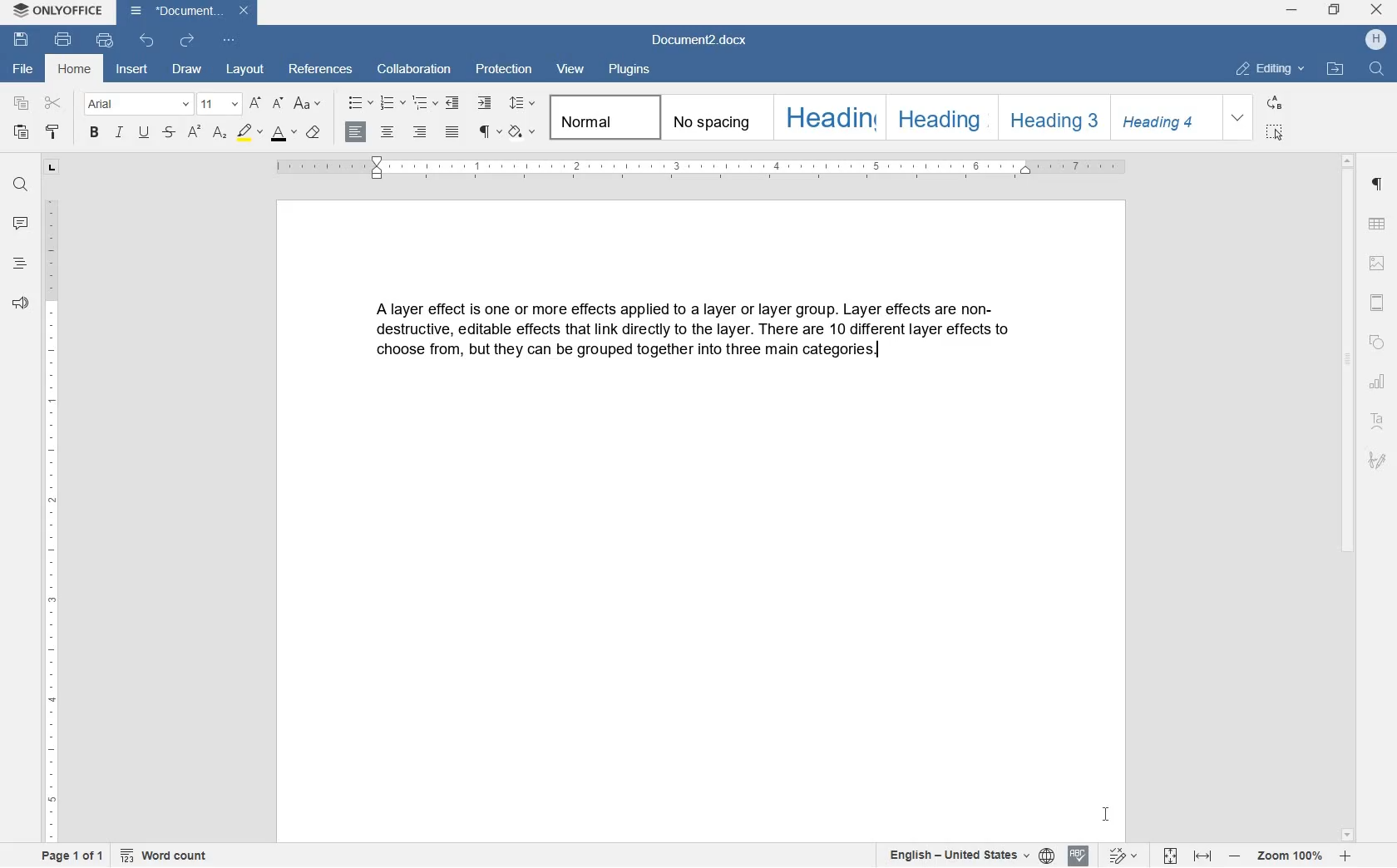 The height and width of the screenshot is (868, 1397). I want to click on RIGHT ALIGNMENT, so click(418, 133).